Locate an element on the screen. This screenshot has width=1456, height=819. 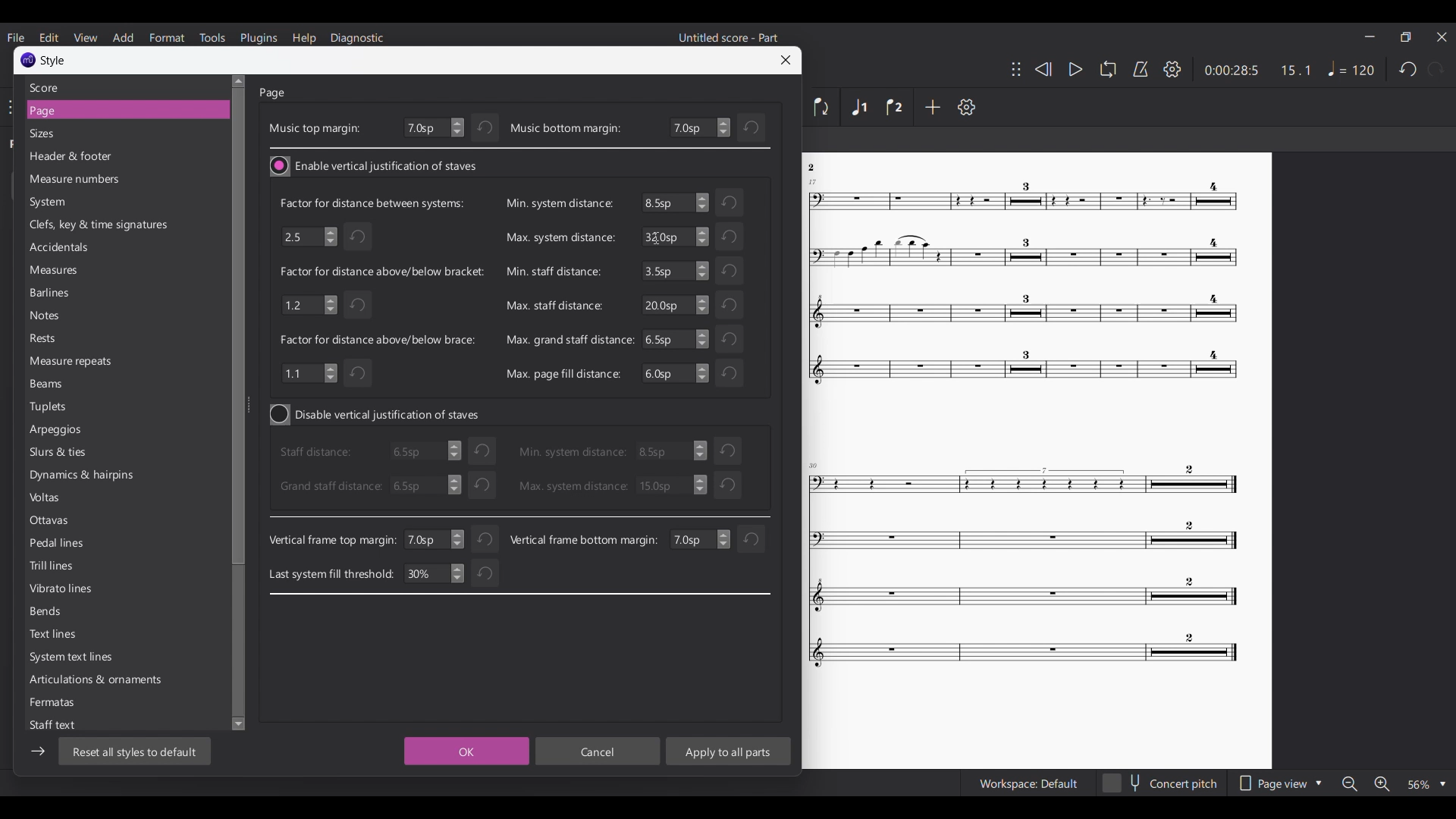
Zoom in is located at coordinates (1382, 784).